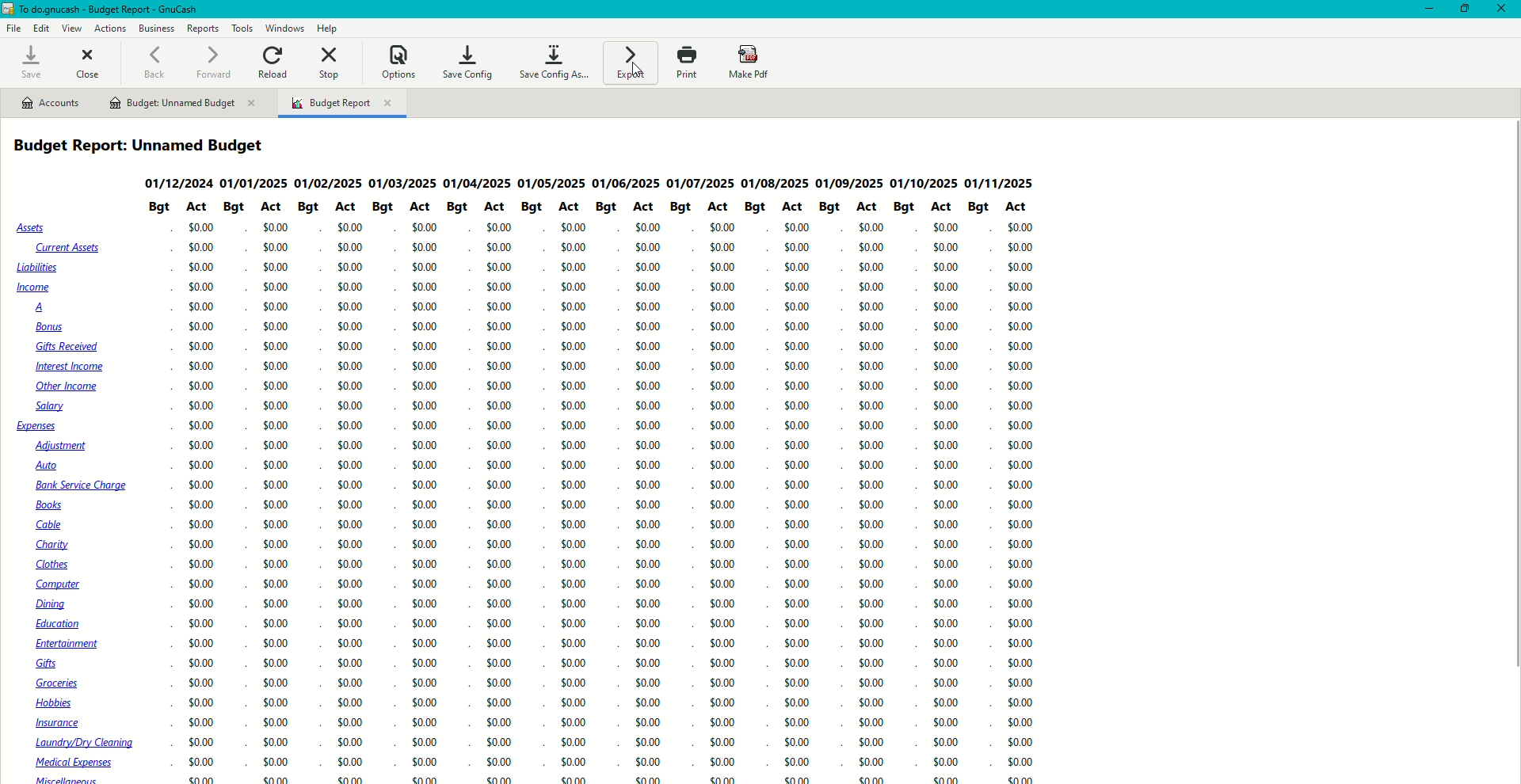 The height and width of the screenshot is (784, 1521). I want to click on 0.00, so click(276, 268).